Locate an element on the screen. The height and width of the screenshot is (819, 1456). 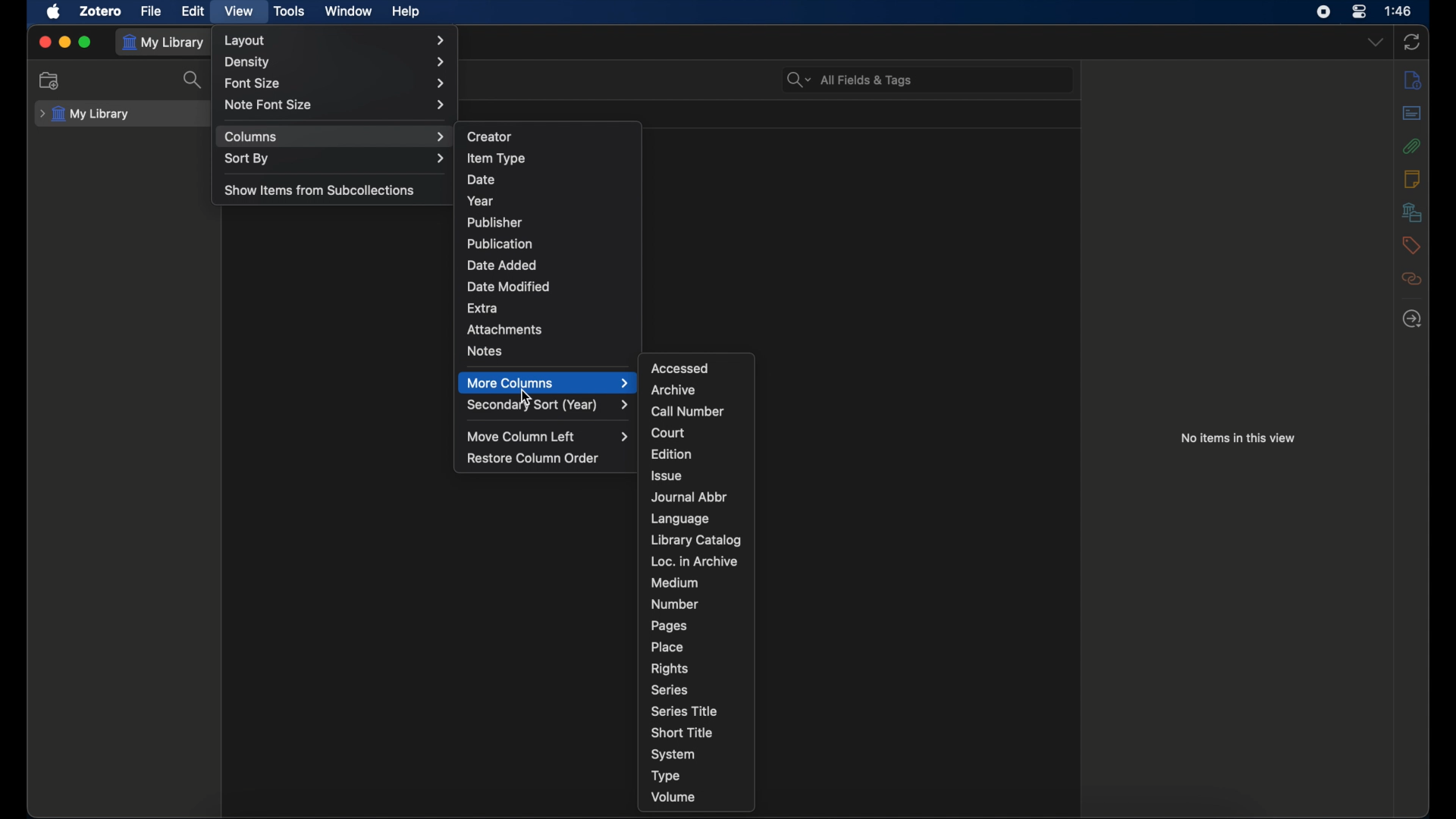
series is located at coordinates (669, 690).